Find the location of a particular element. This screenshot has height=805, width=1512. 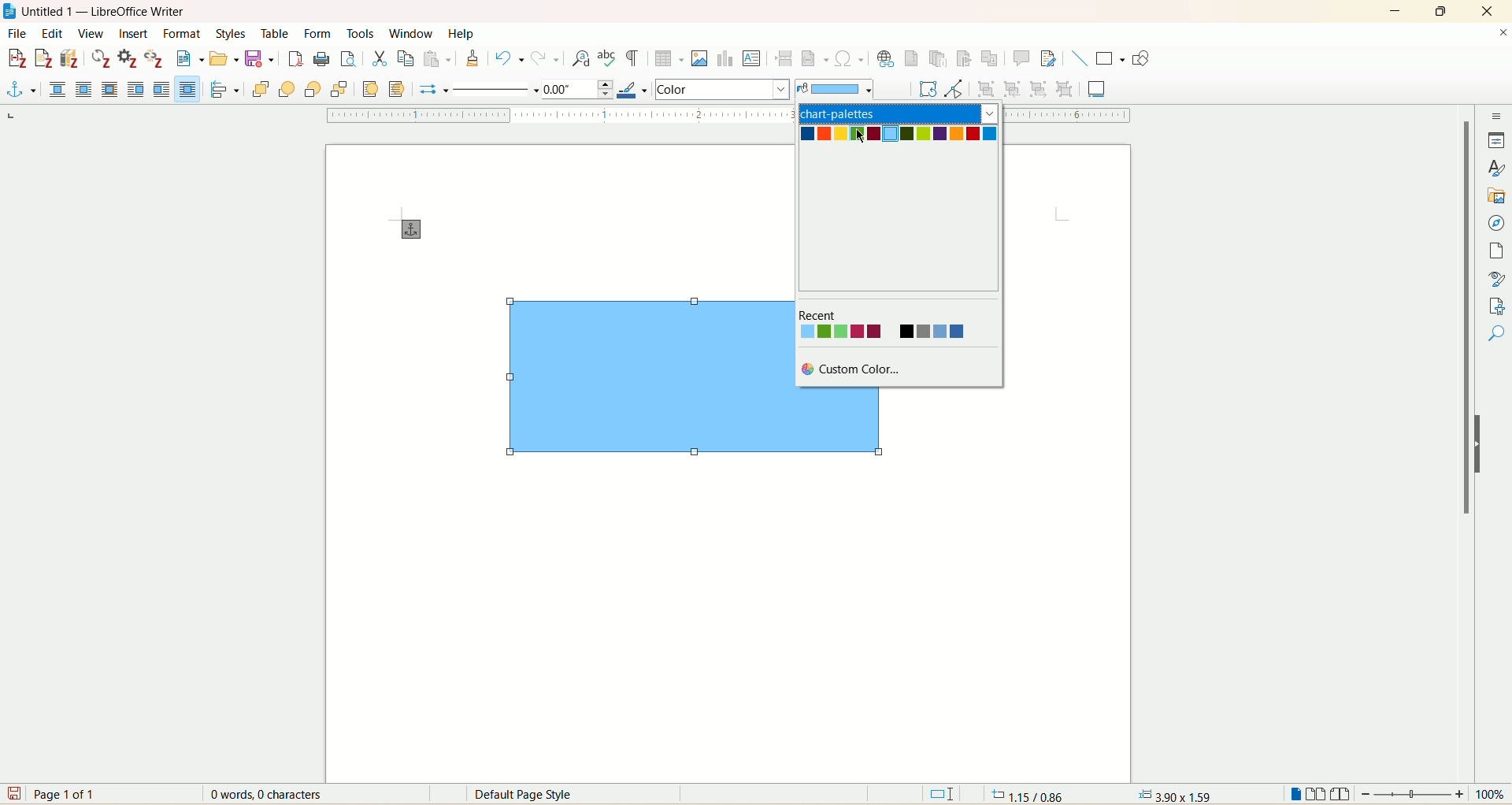

maximize is located at coordinates (1443, 11).